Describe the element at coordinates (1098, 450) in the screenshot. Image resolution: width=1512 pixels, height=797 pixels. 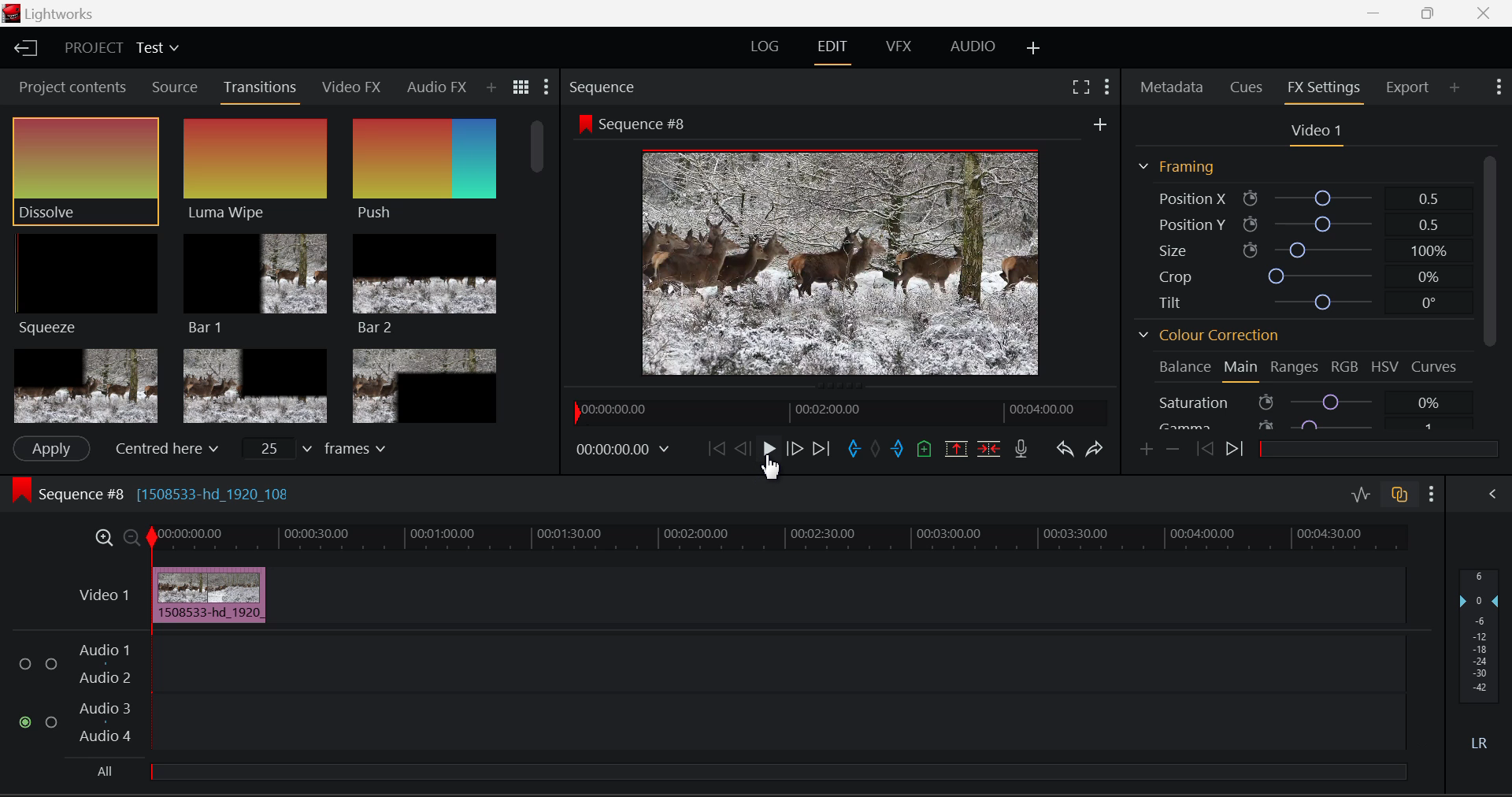
I see `Redo` at that location.